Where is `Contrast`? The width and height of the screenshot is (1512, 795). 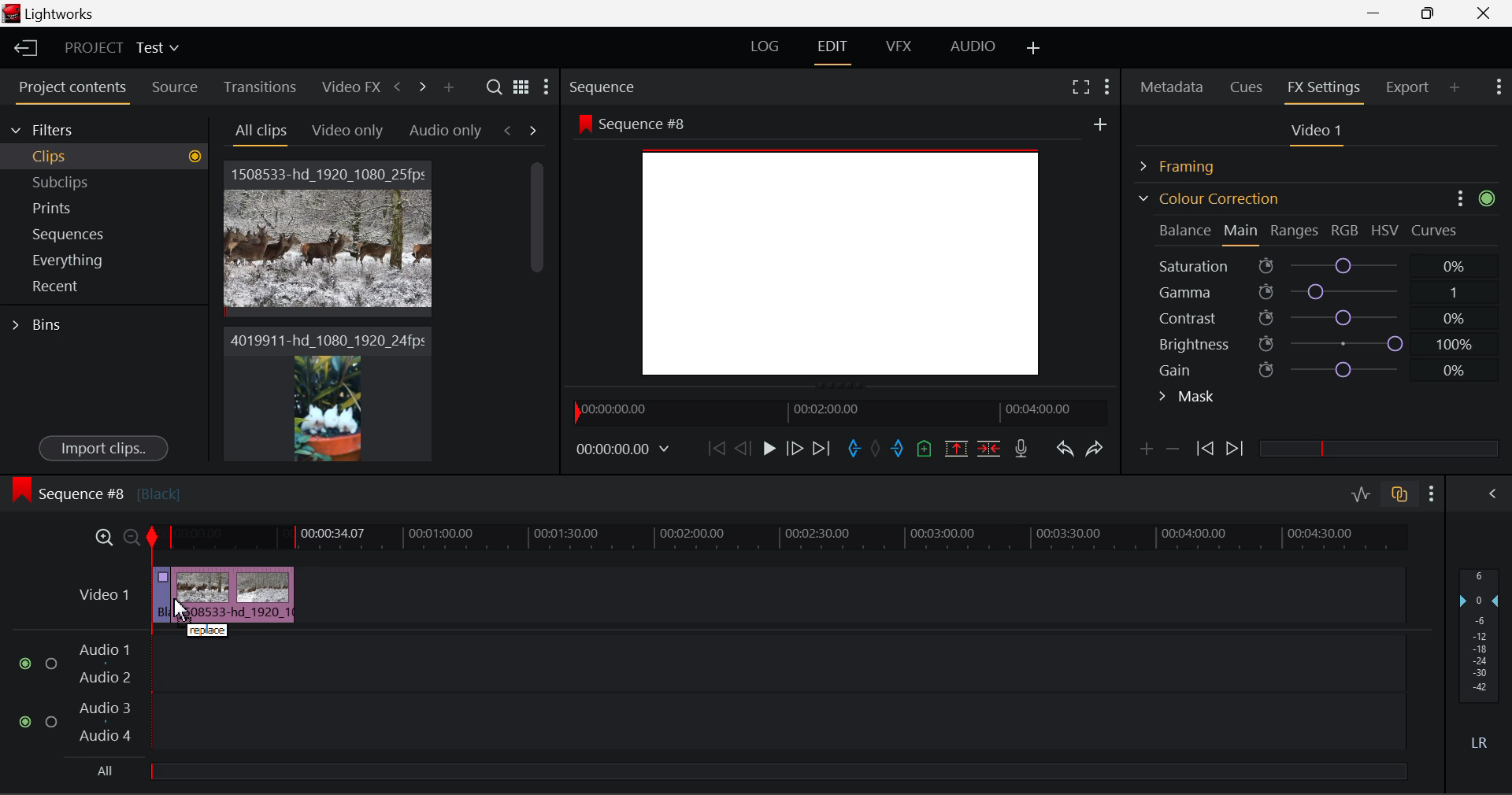 Contrast is located at coordinates (1318, 317).